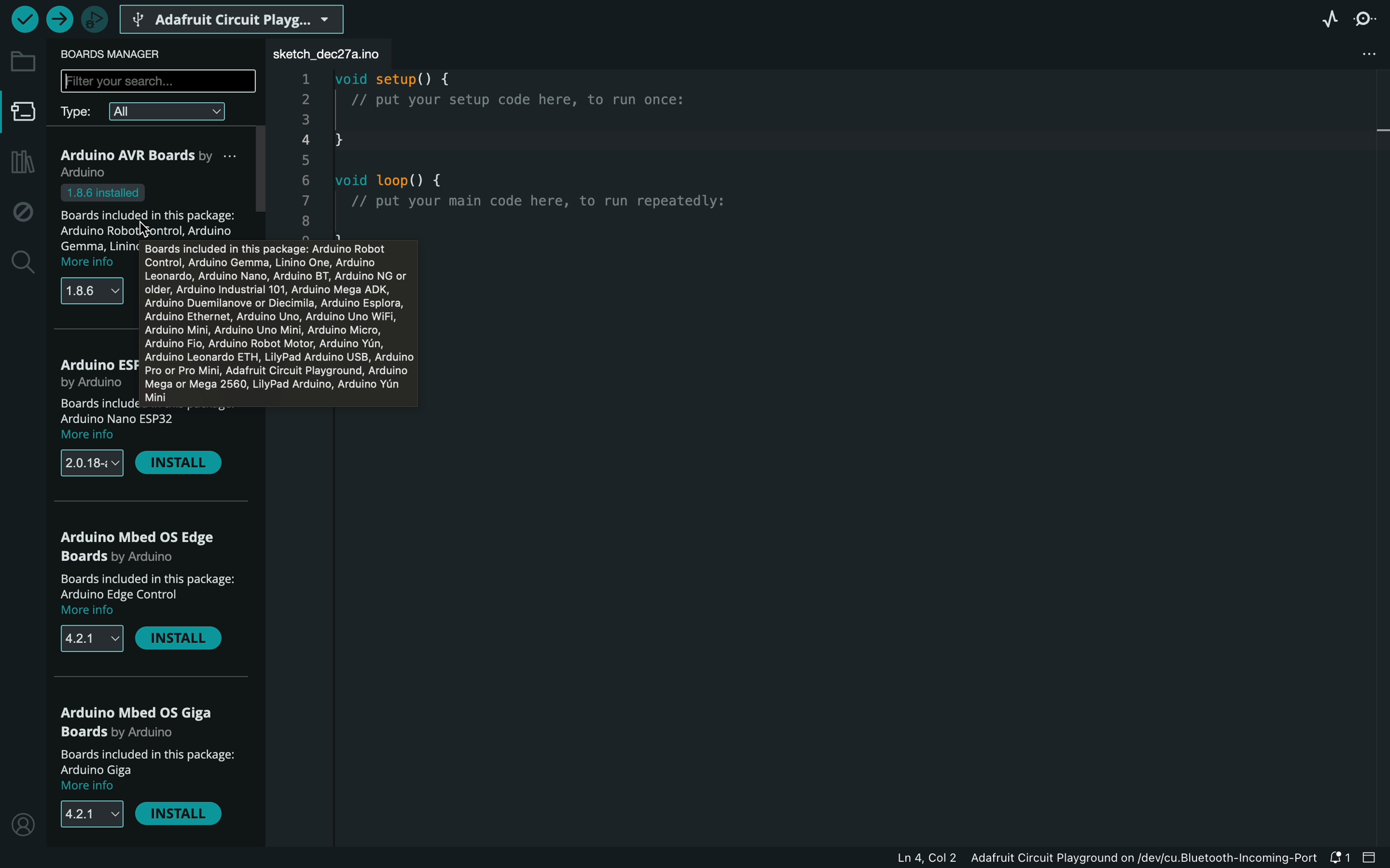 The image size is (1390, 868). What do you see at coordinates (96, 18) in the screenshot?
I see `debugger` at bounding box center [96, 18].